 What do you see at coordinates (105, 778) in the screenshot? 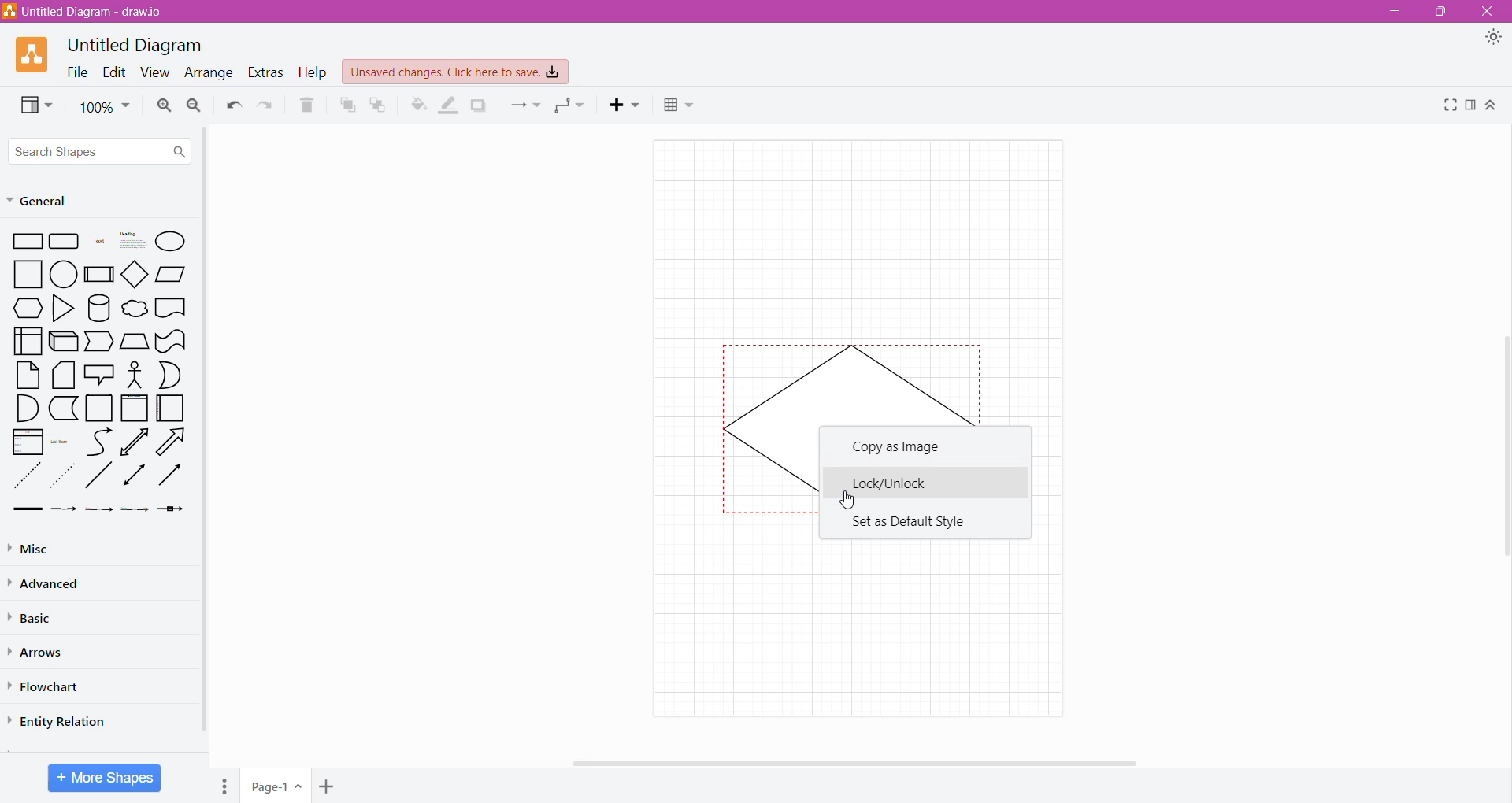
I see `More Shapes` at bounding box center [105, 778].